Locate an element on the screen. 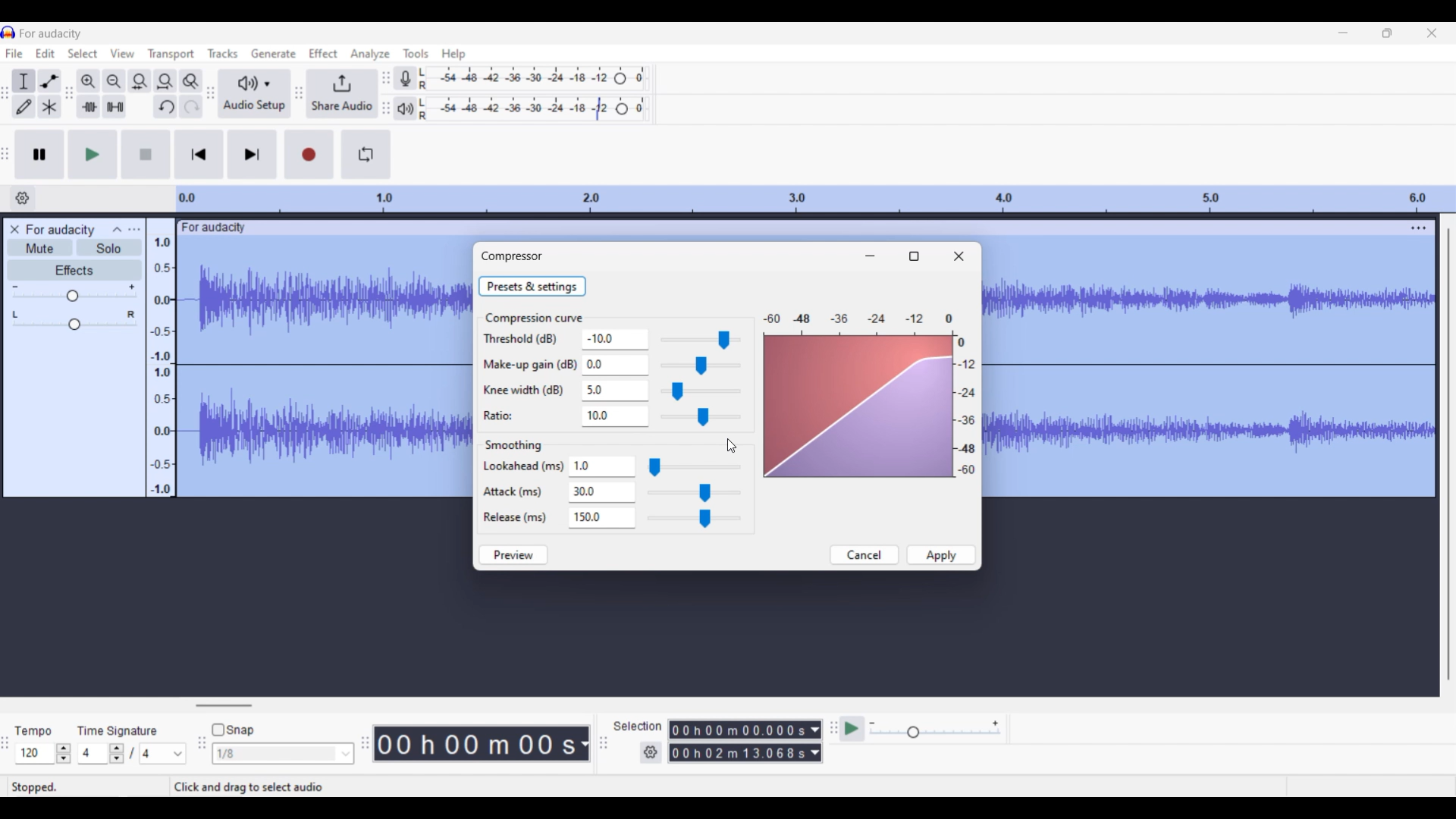 The height and width of the screenshot is (819, 1456). Scale to measure sound intensity is located at coordinates (162, 366).